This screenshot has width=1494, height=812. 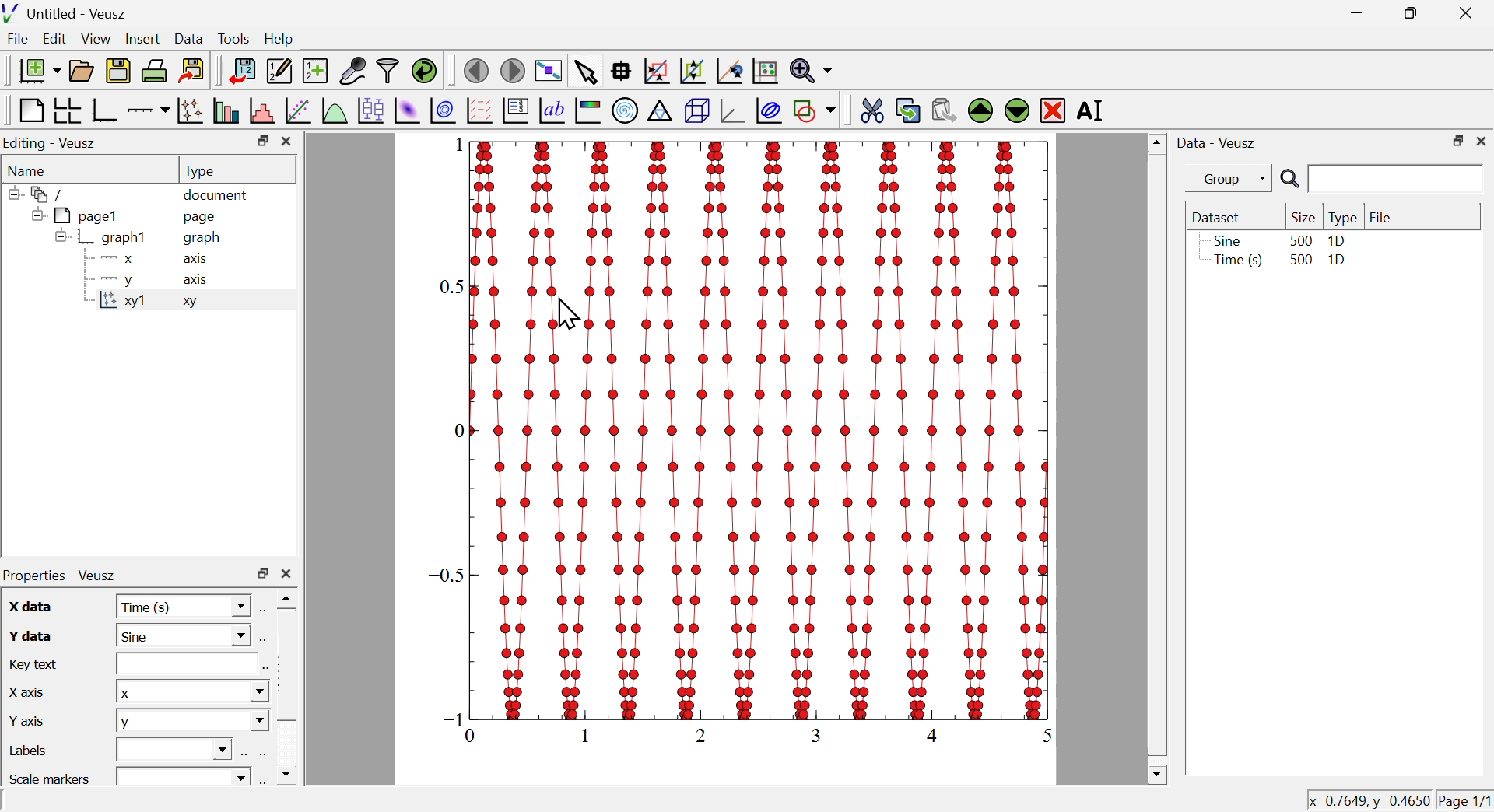 I want to click on name, so click(x=30, y=170).